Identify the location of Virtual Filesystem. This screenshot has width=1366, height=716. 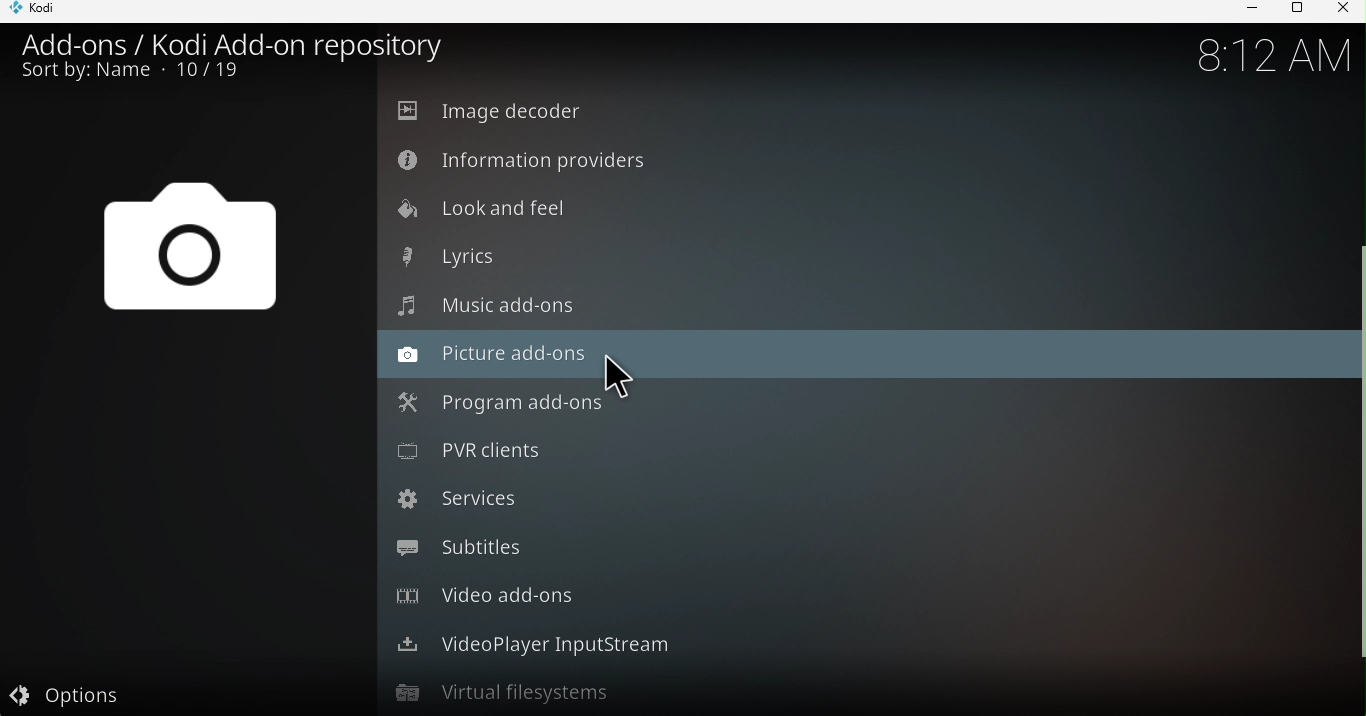
(851, 692).